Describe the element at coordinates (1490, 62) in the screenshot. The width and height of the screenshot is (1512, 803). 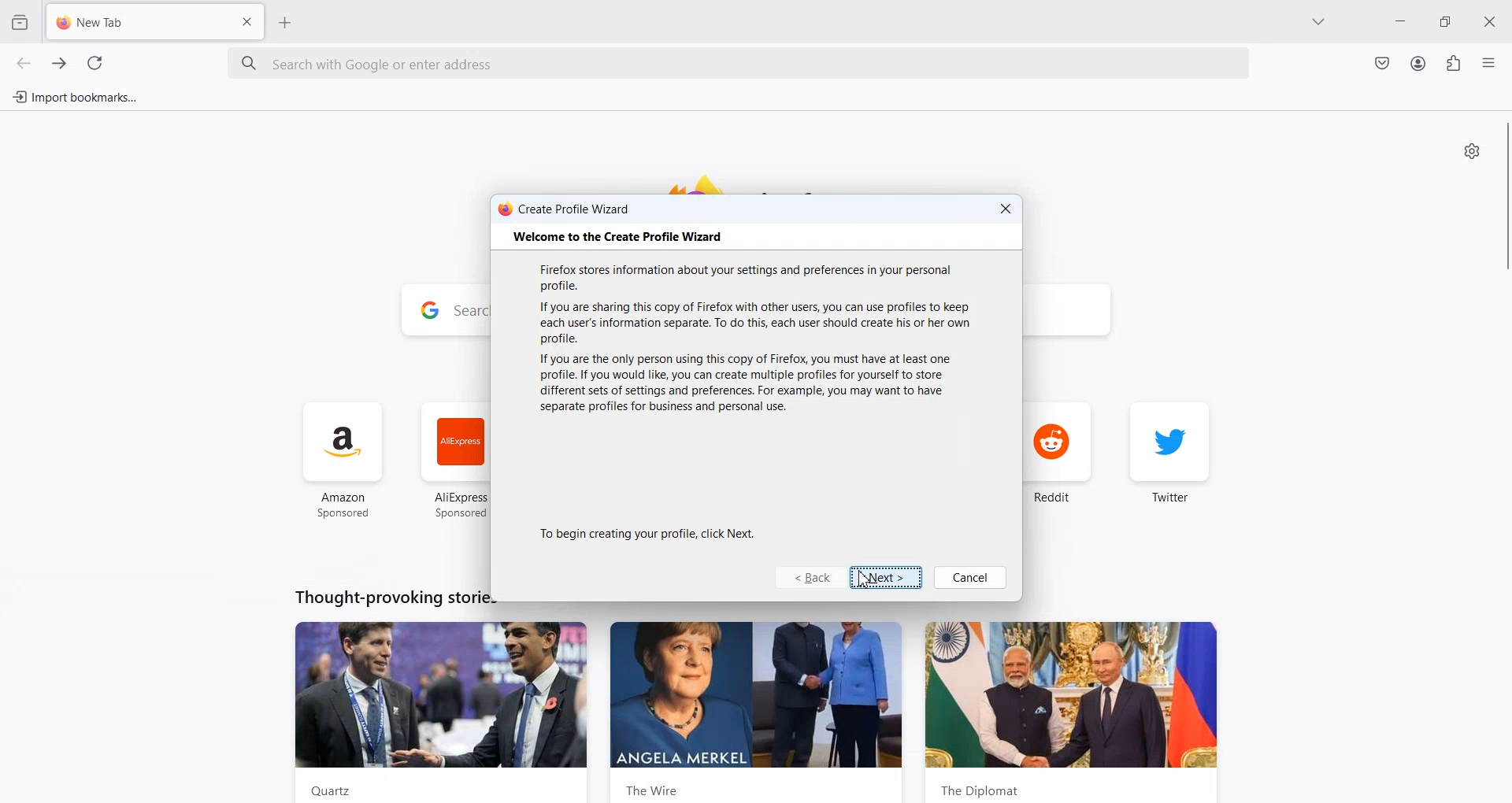
I see `Open Application menu` at that location.